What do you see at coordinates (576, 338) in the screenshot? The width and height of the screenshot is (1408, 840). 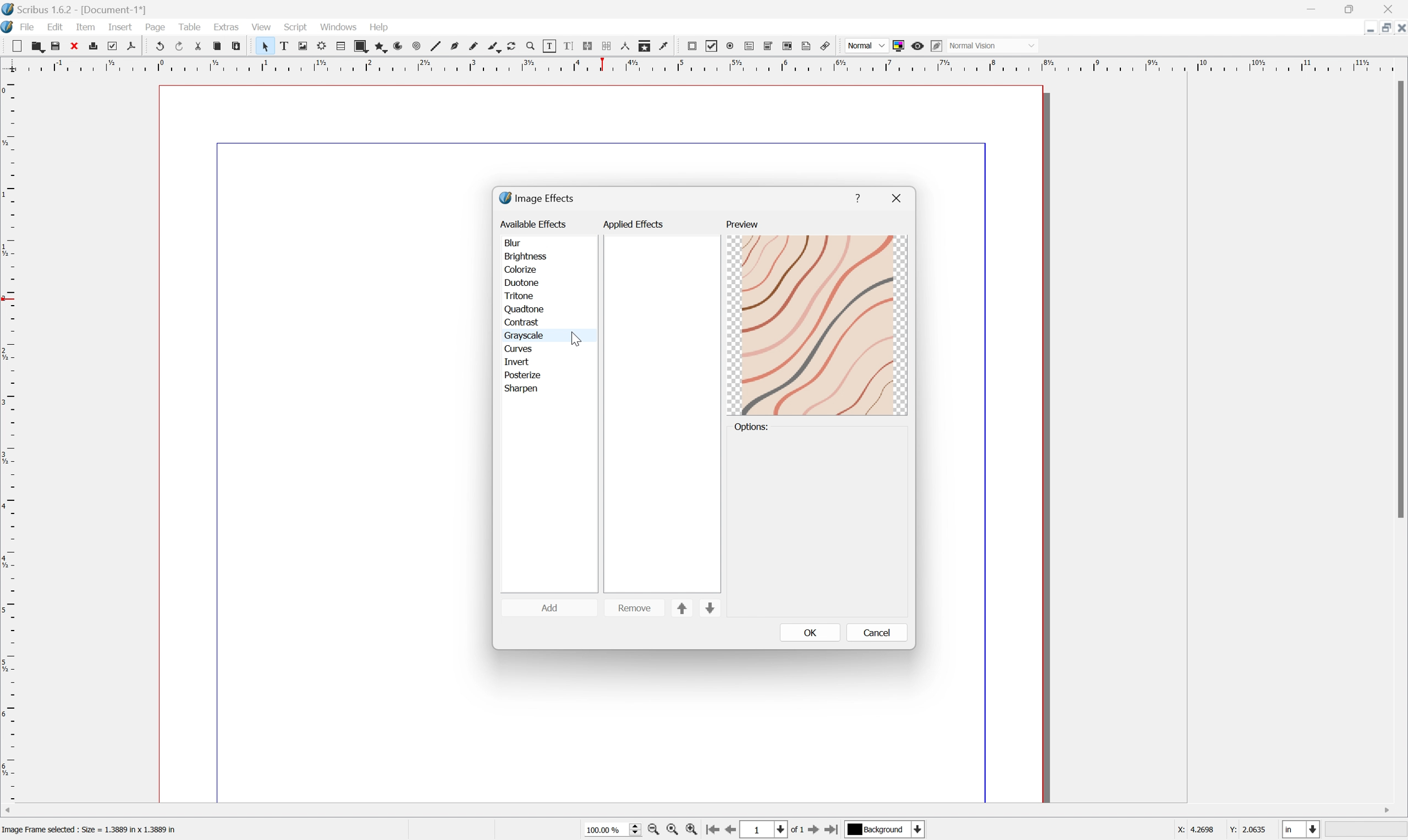 I see `cursor` at bounding box center [576, 338].